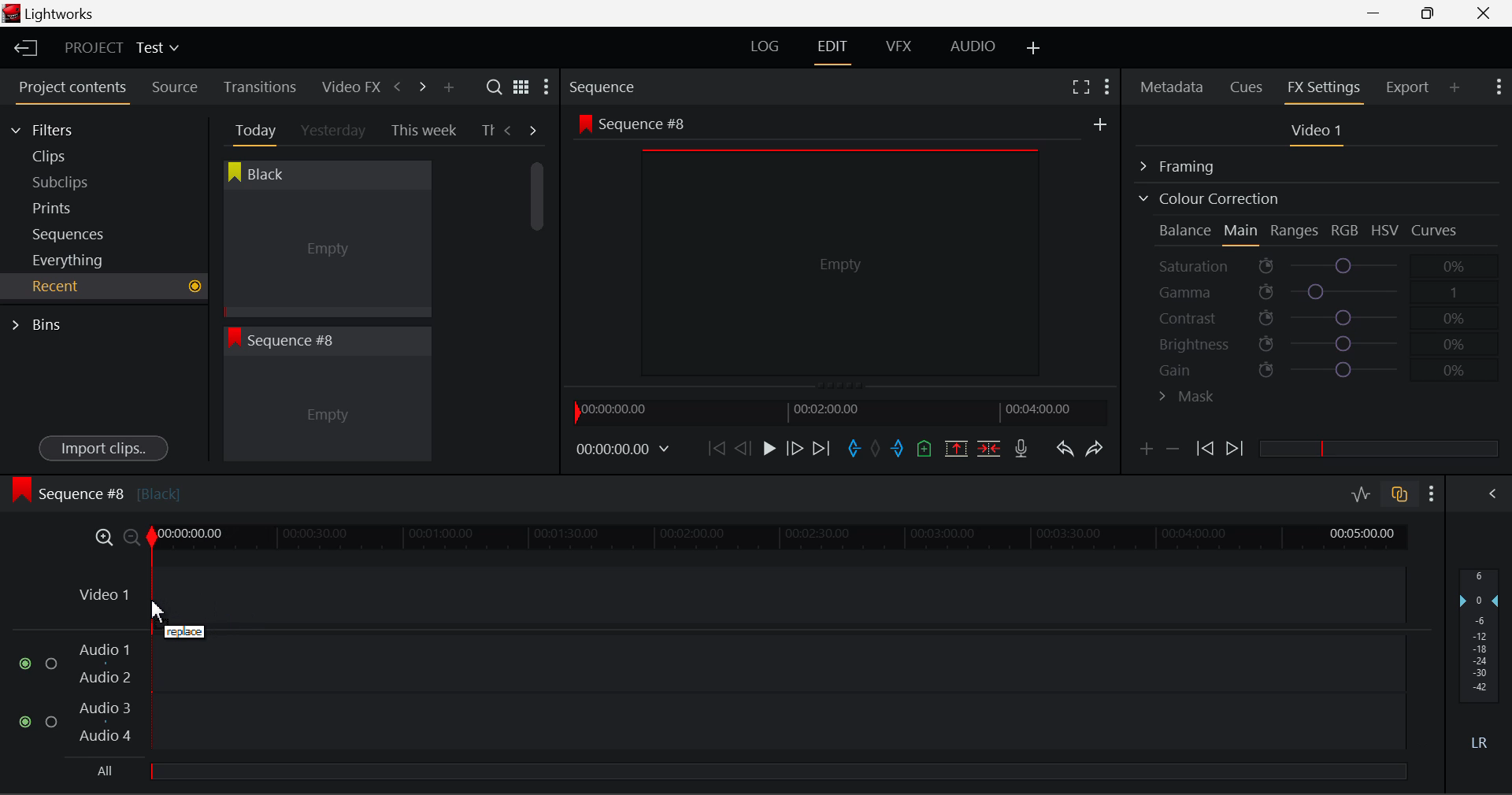  I want to click on Bins, so click(42, 323).